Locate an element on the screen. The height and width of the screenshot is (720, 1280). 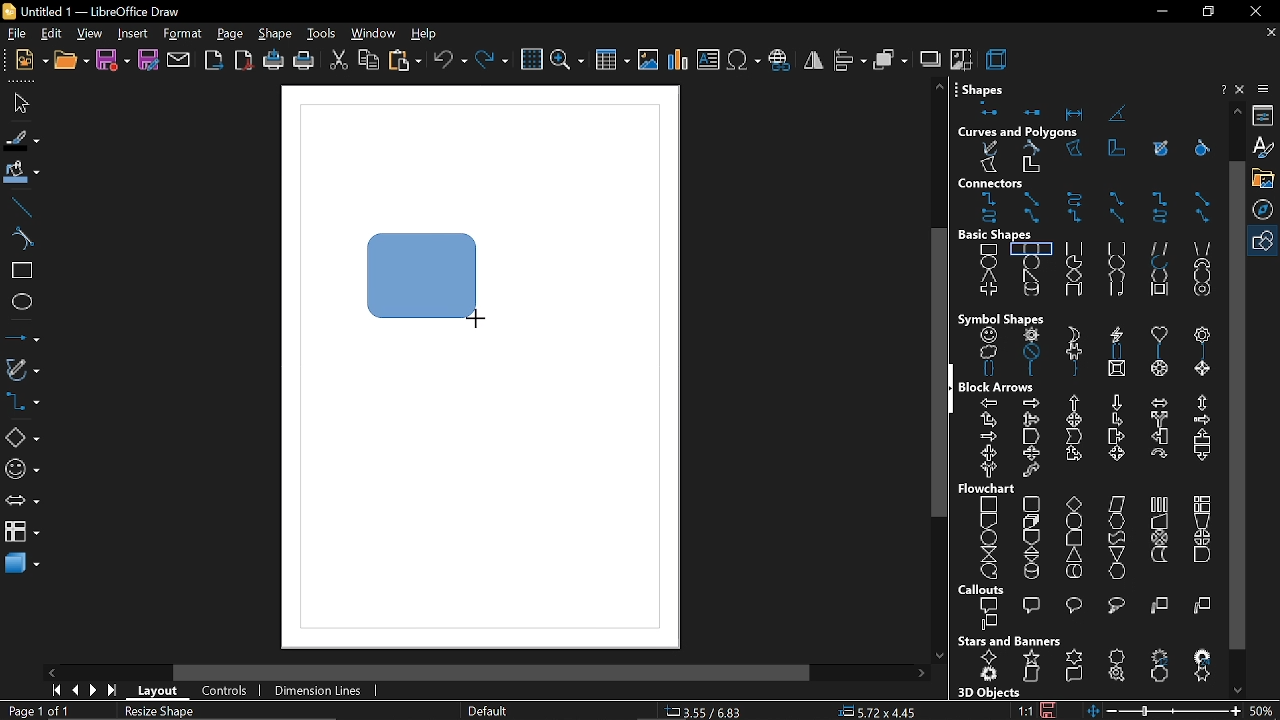
minimize is located at coordinates (1160, 13).